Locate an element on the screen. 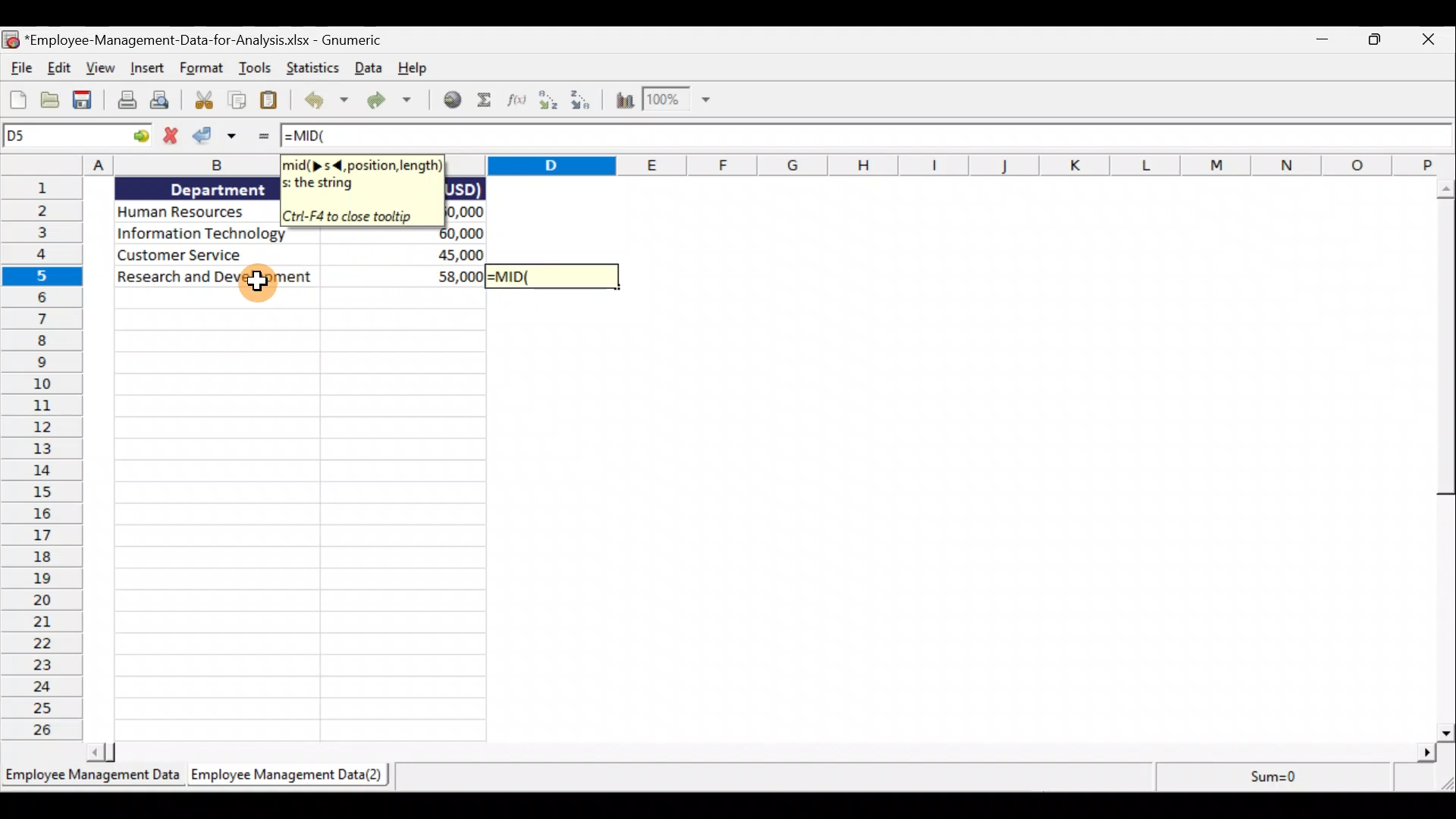 The width and height of the screenshot is (1456, 819). data is located at coordinates (191, 278).